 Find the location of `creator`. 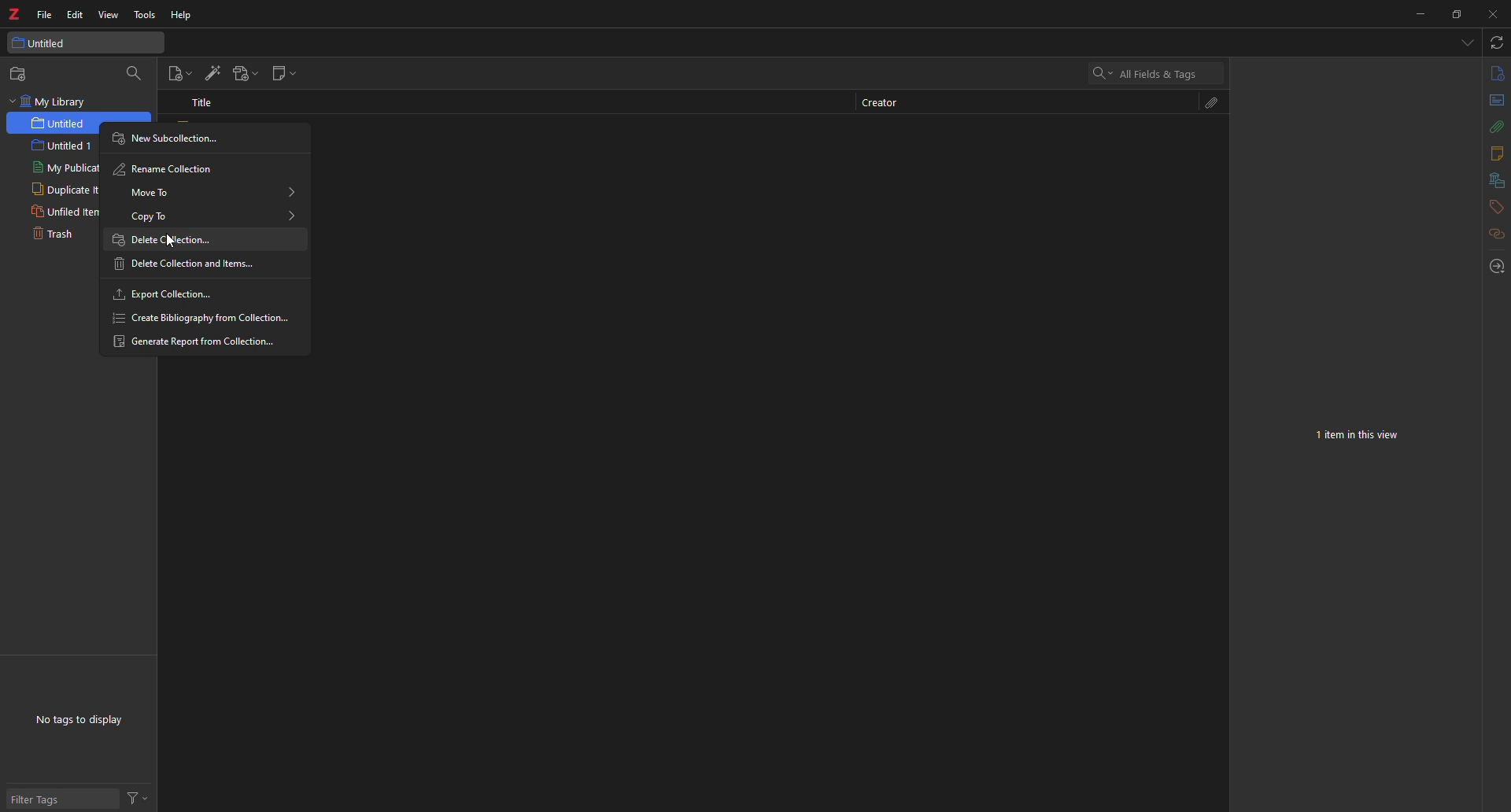

creator is located at coordinates (881, 101).